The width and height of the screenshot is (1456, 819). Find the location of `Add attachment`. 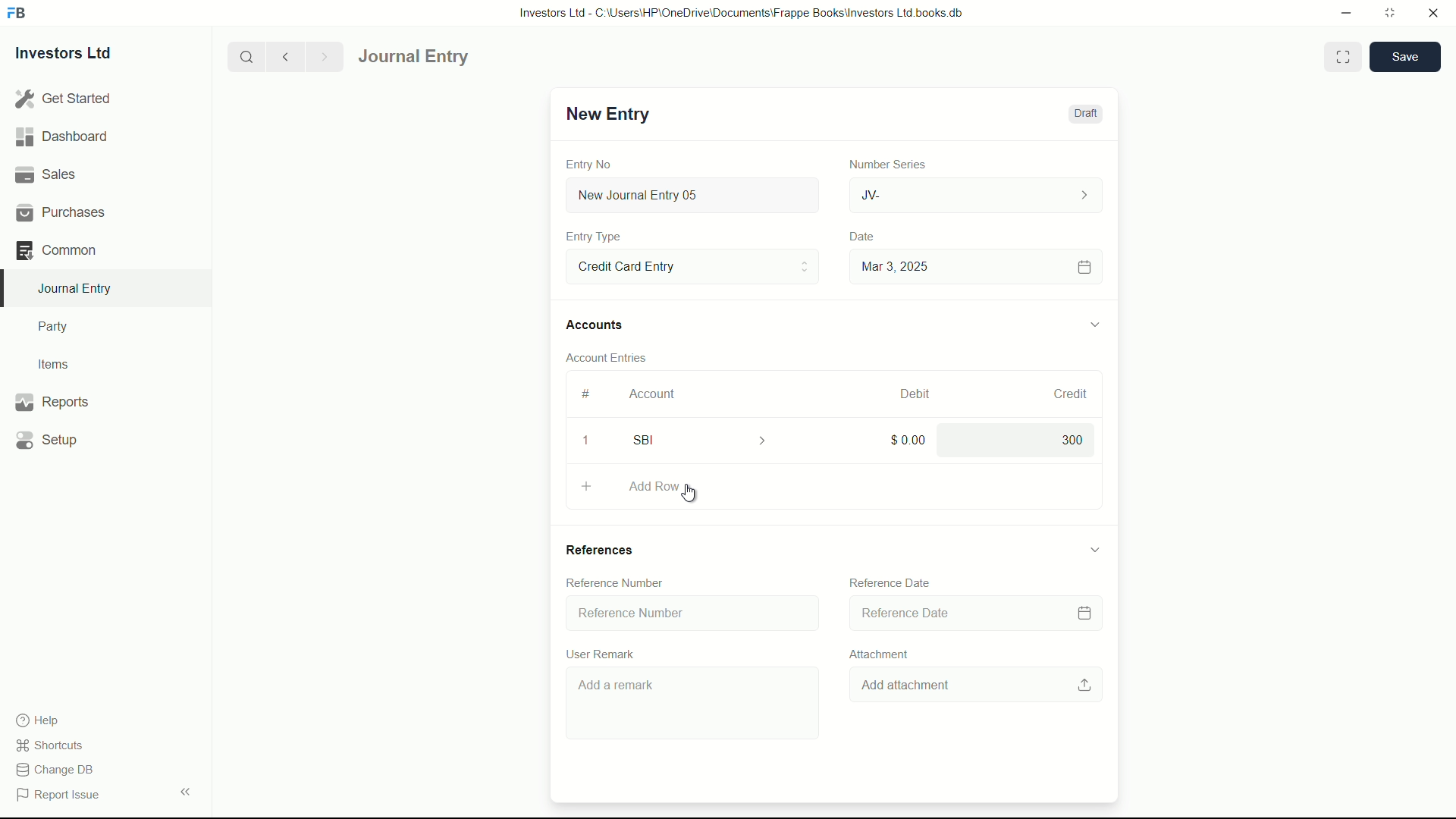

Add attachment is located at coordinates (980, 684).